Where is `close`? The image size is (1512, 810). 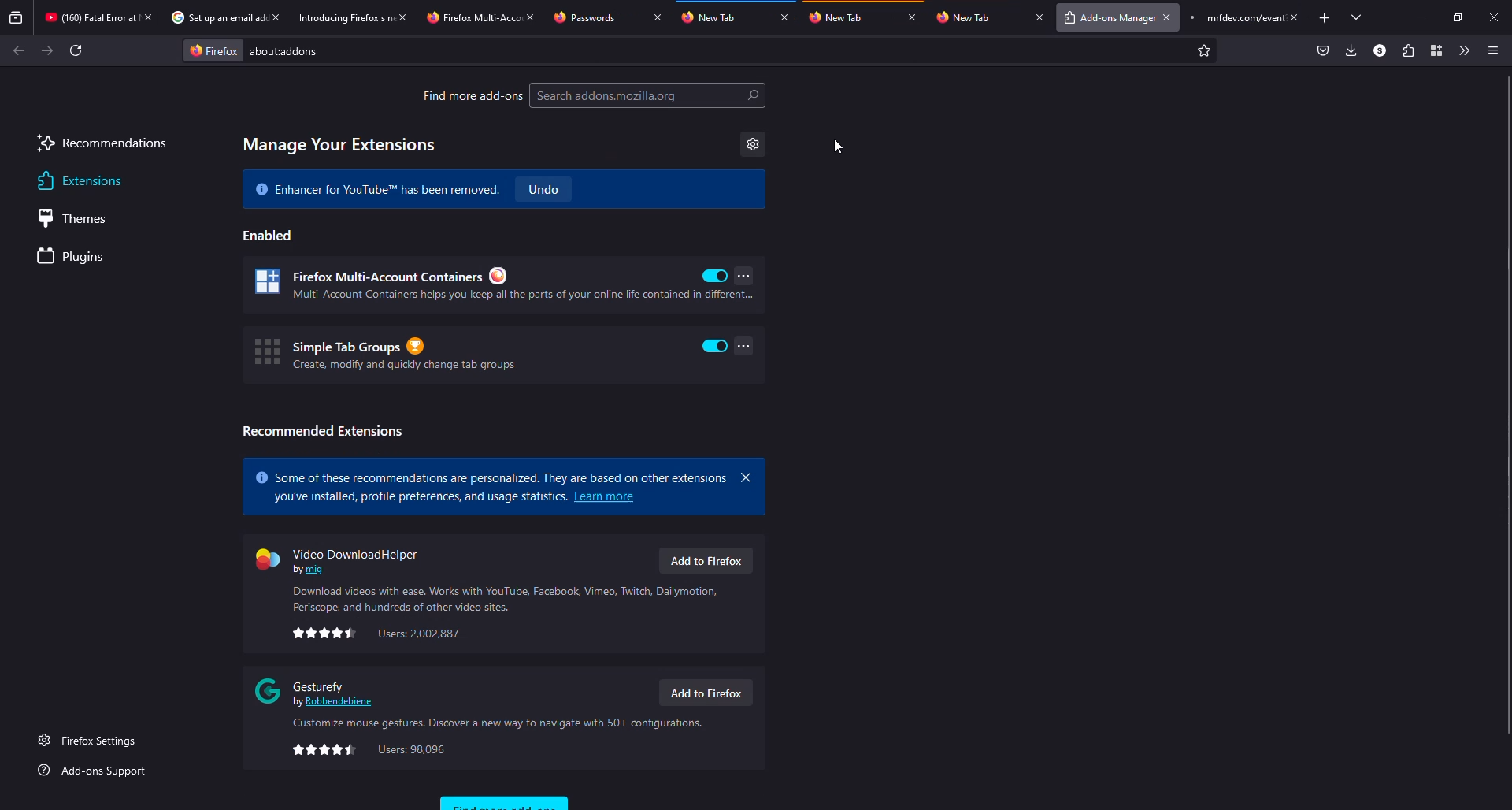
close is located at coordinates (913, 17).